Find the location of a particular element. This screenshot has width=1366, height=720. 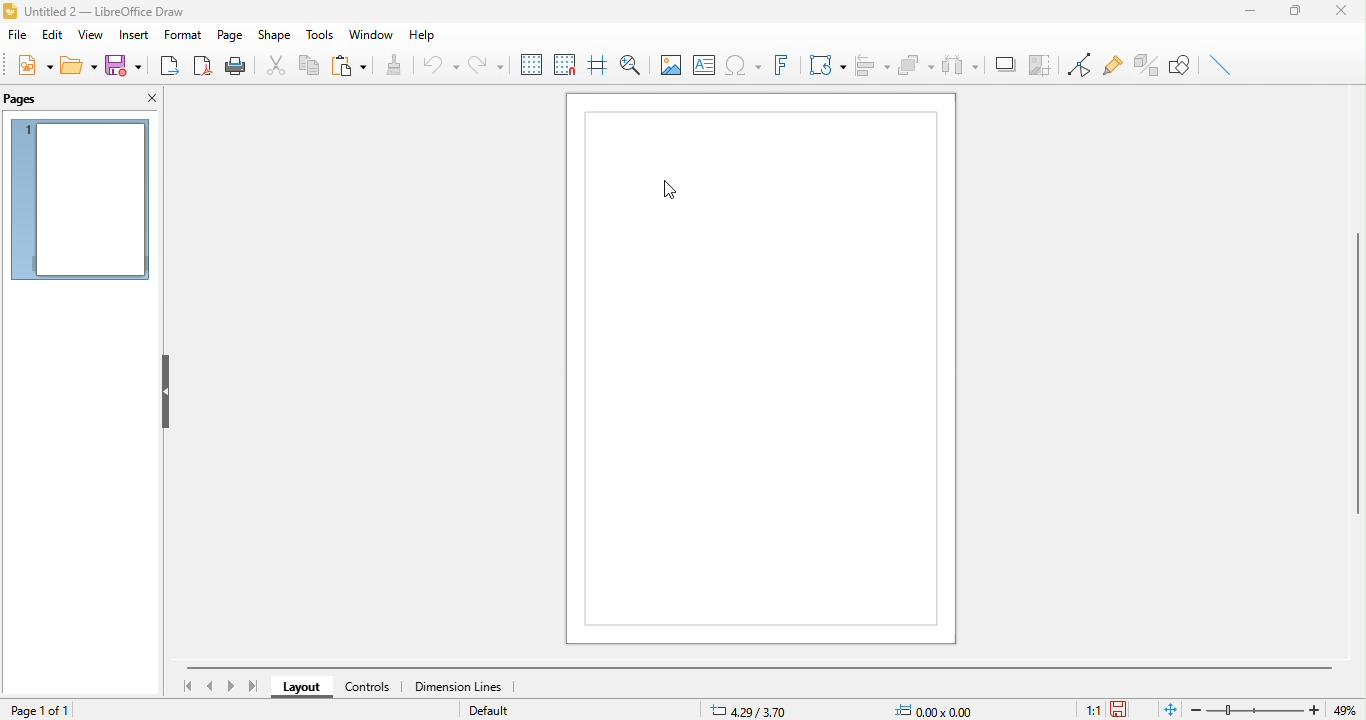

select at least three object to distribute is located at coordinates (962, 63).